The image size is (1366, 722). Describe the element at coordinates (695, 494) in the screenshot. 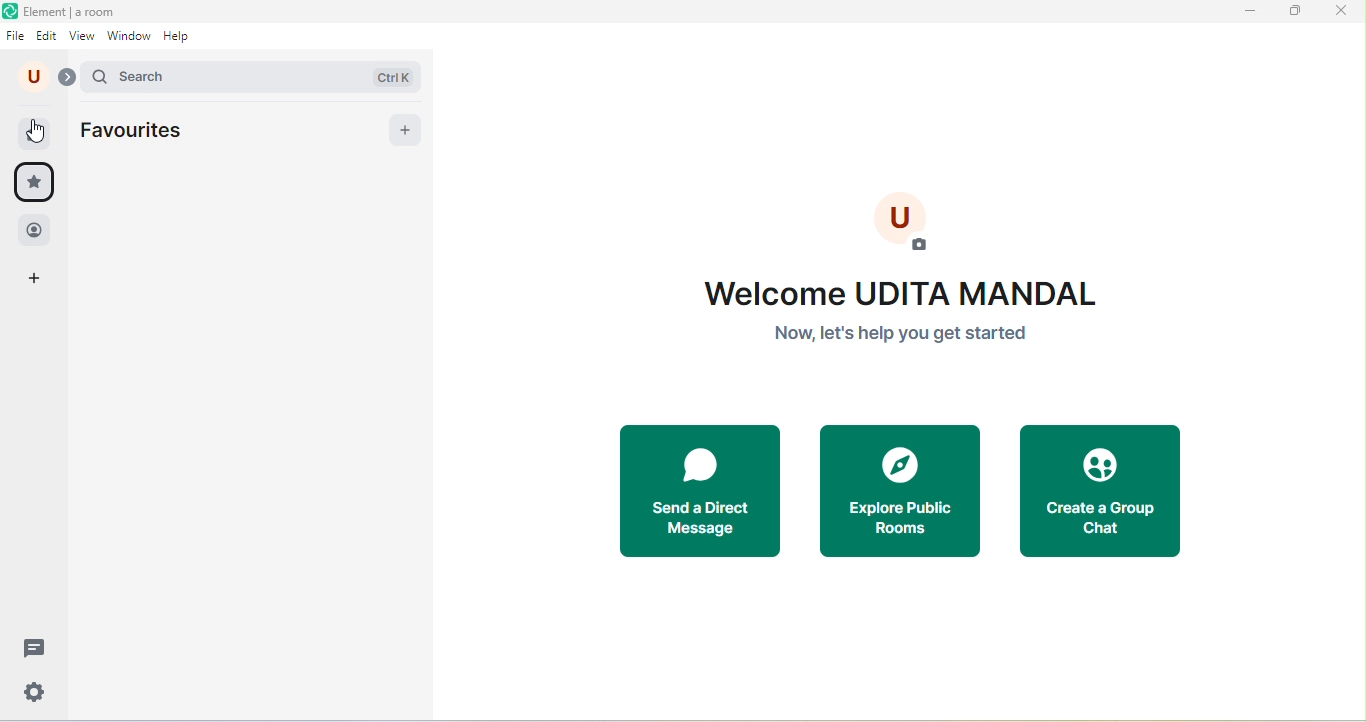

I see `send a direct message` at that location.